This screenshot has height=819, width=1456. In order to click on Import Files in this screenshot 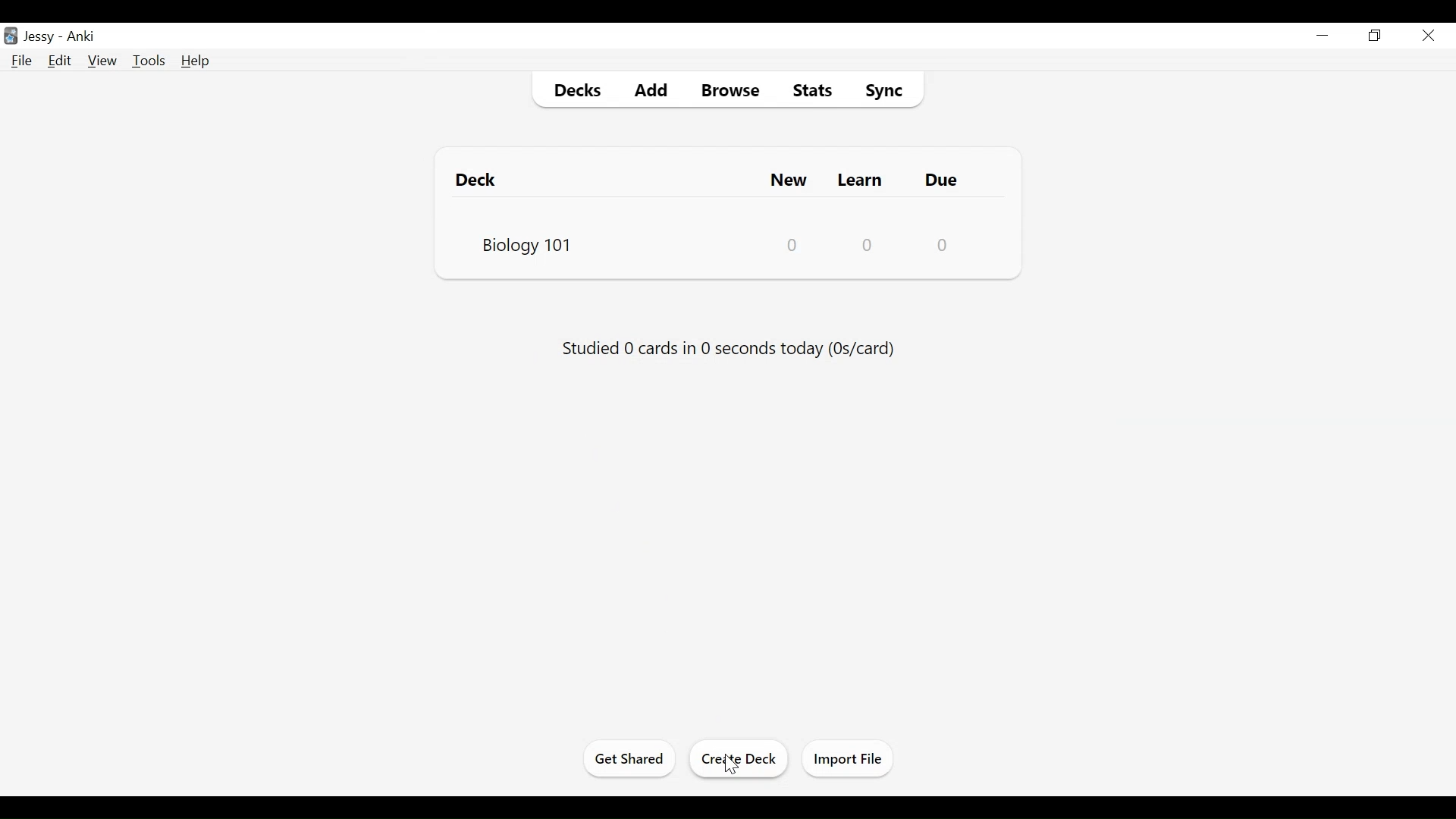, I will do `click(848, 758)`.